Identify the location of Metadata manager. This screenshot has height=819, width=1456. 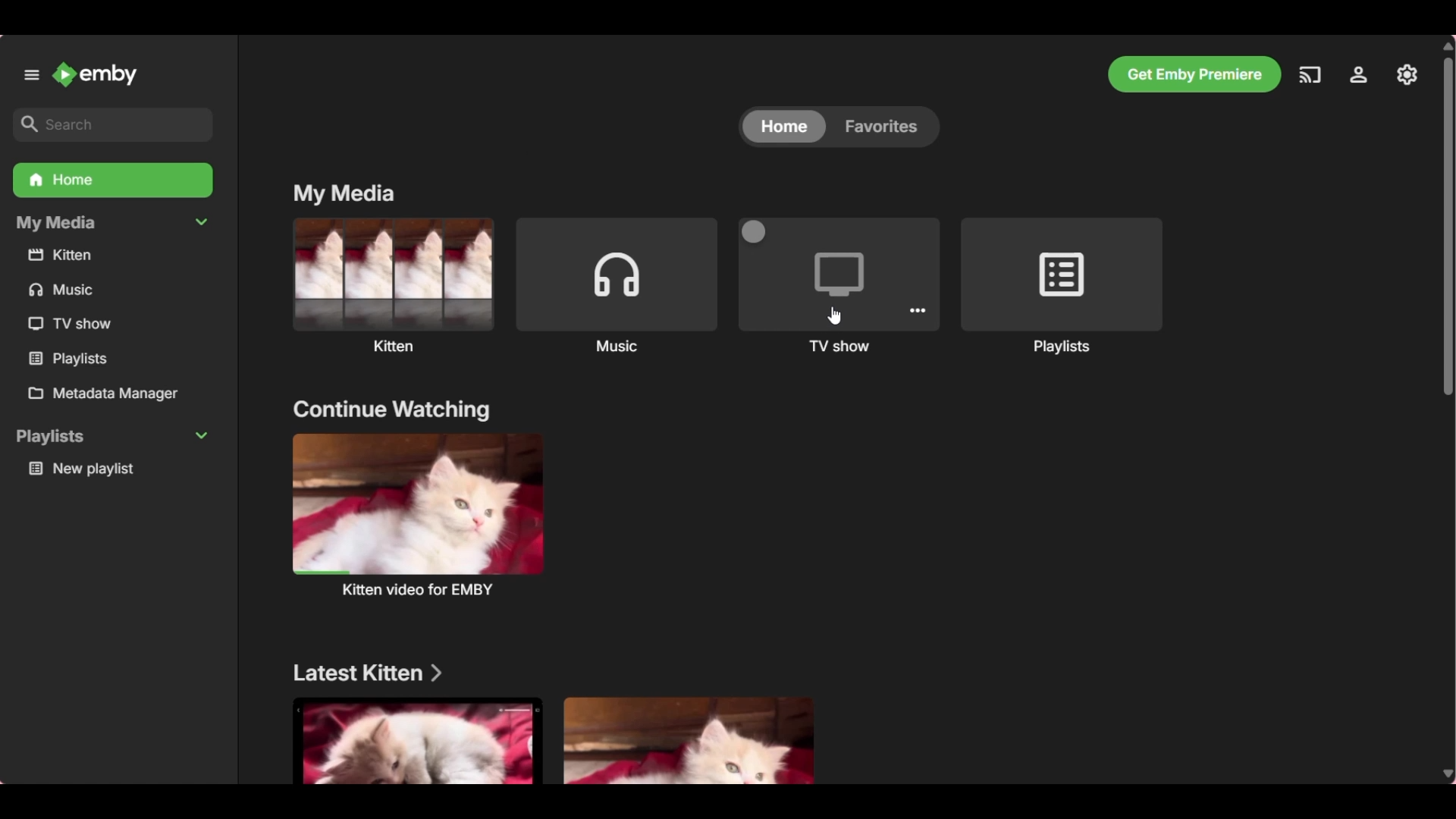
(116, 394).